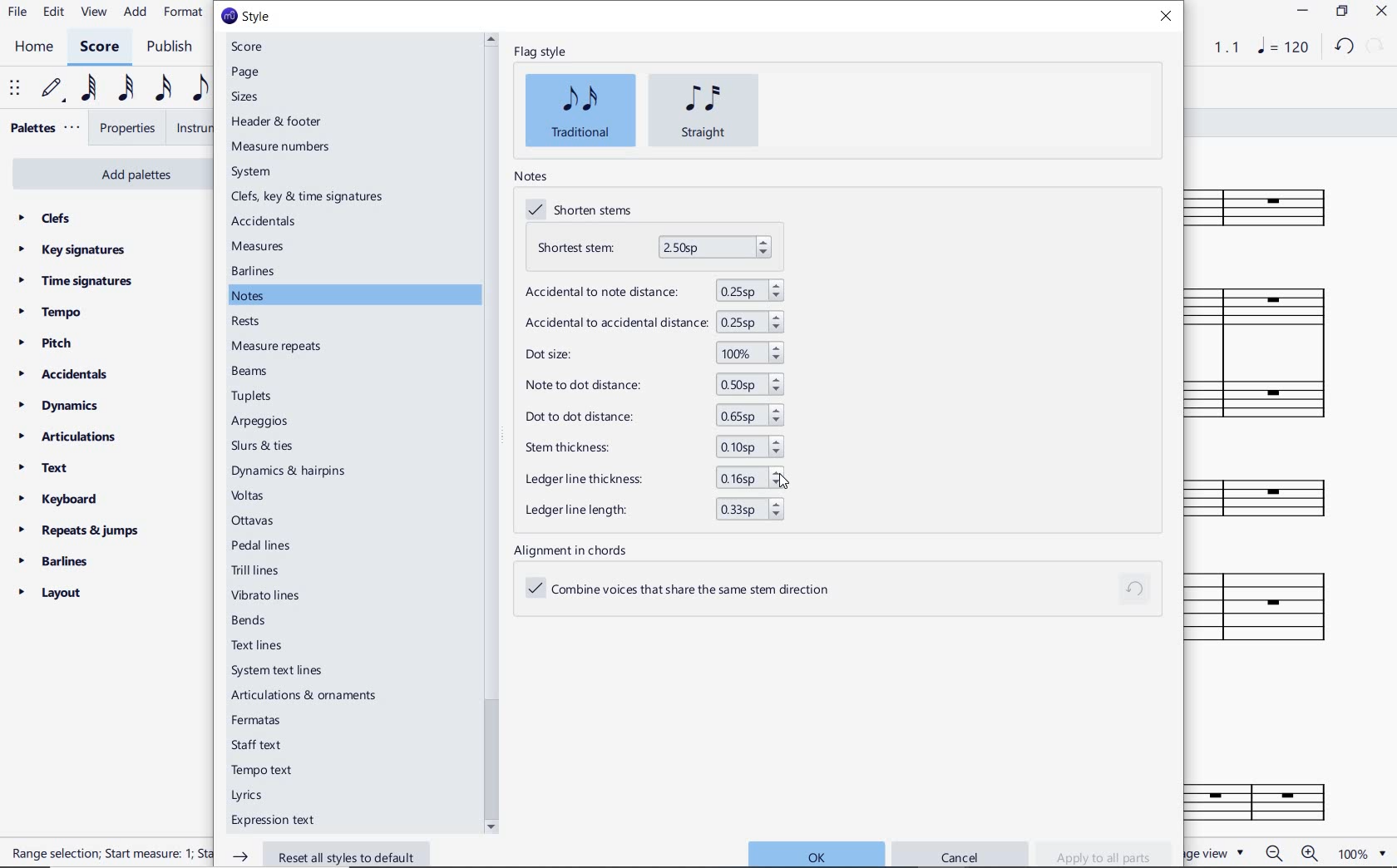  What do you see at coordinates (256, 496) in the screenshot?
I see `voltas` at bounding box center [256, 496].